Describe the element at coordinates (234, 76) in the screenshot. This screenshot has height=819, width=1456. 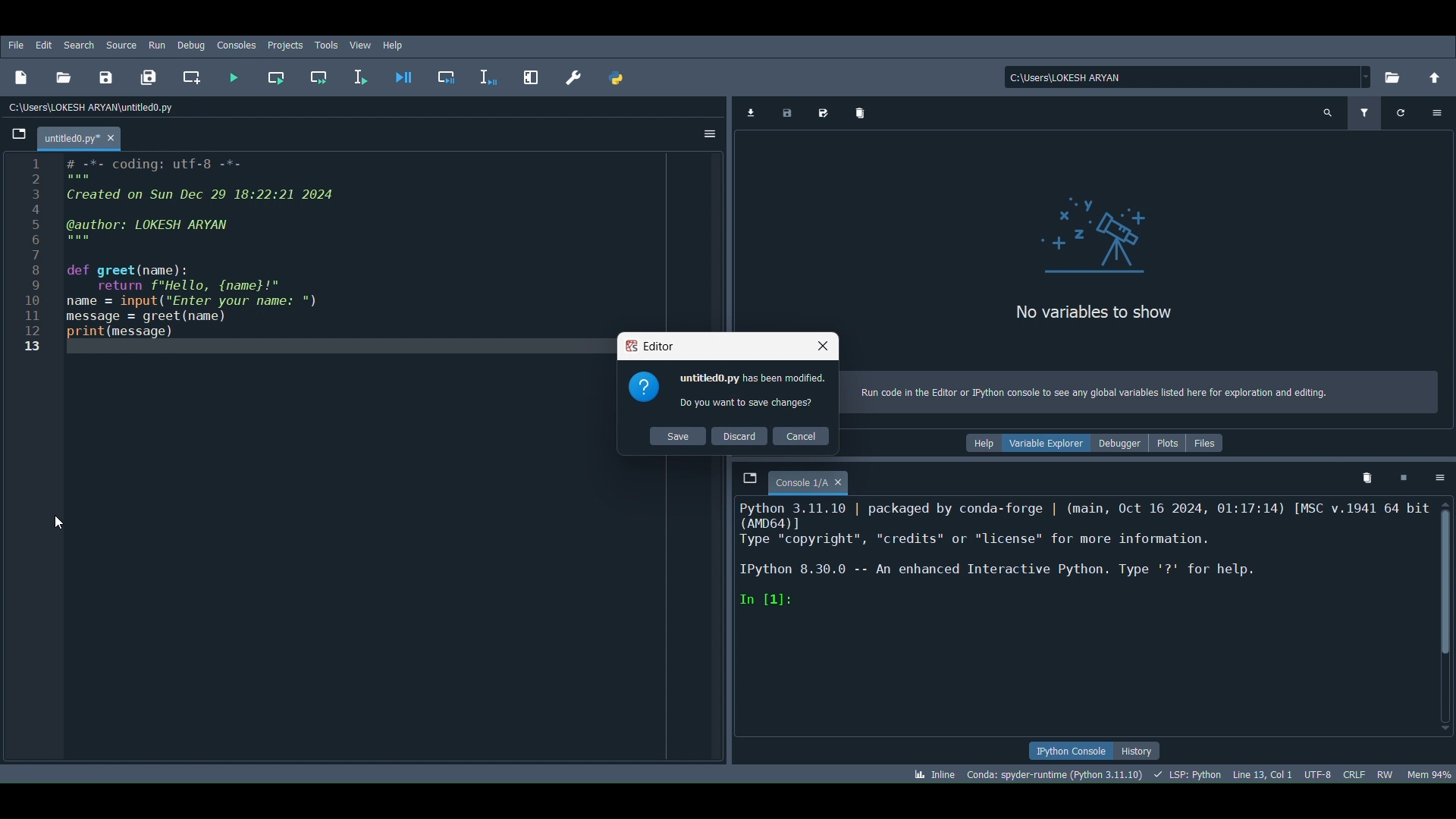
I see `Run file` at that location.